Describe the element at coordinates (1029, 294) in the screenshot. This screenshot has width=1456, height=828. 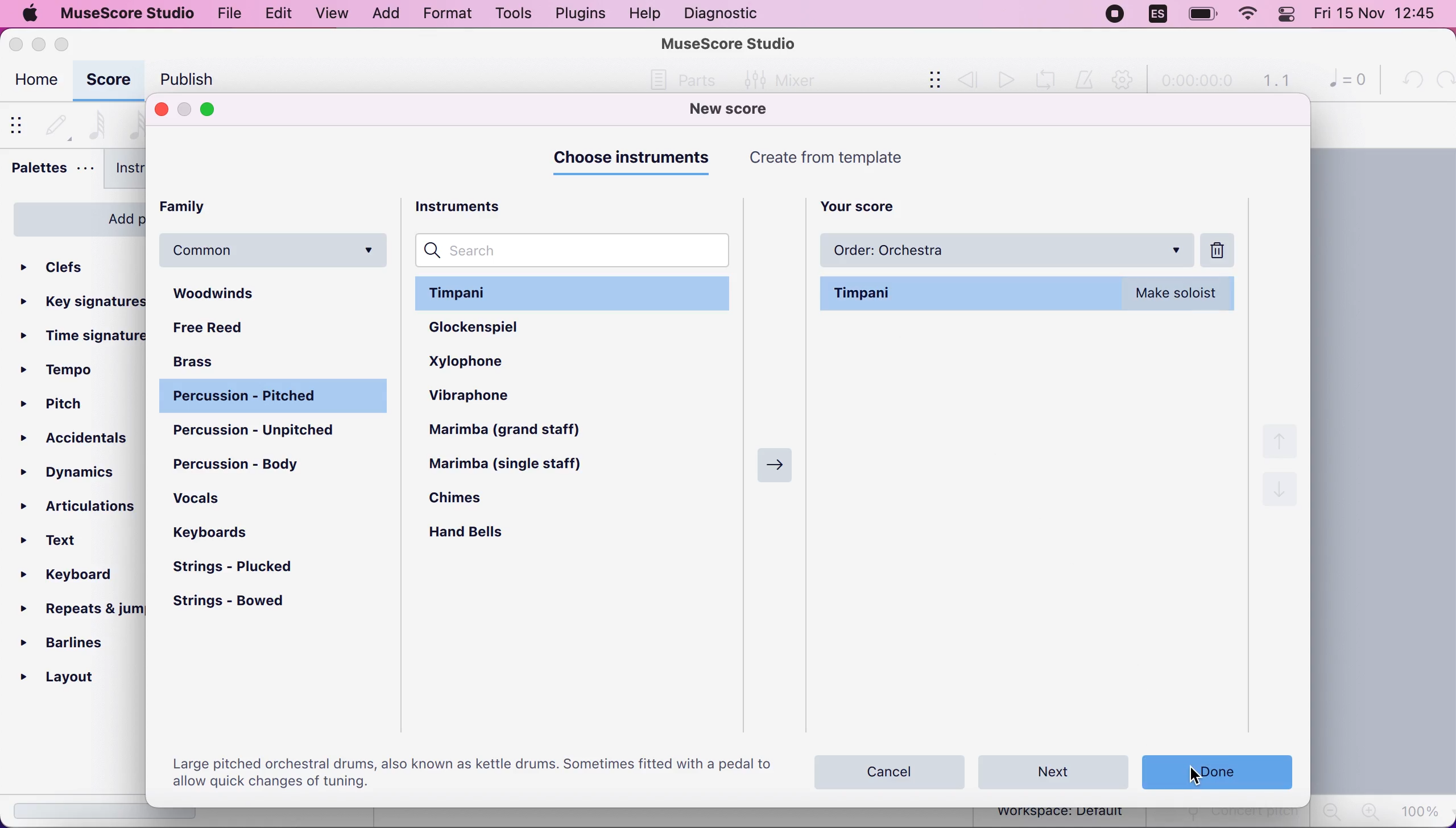
I see `timpani` at that location.